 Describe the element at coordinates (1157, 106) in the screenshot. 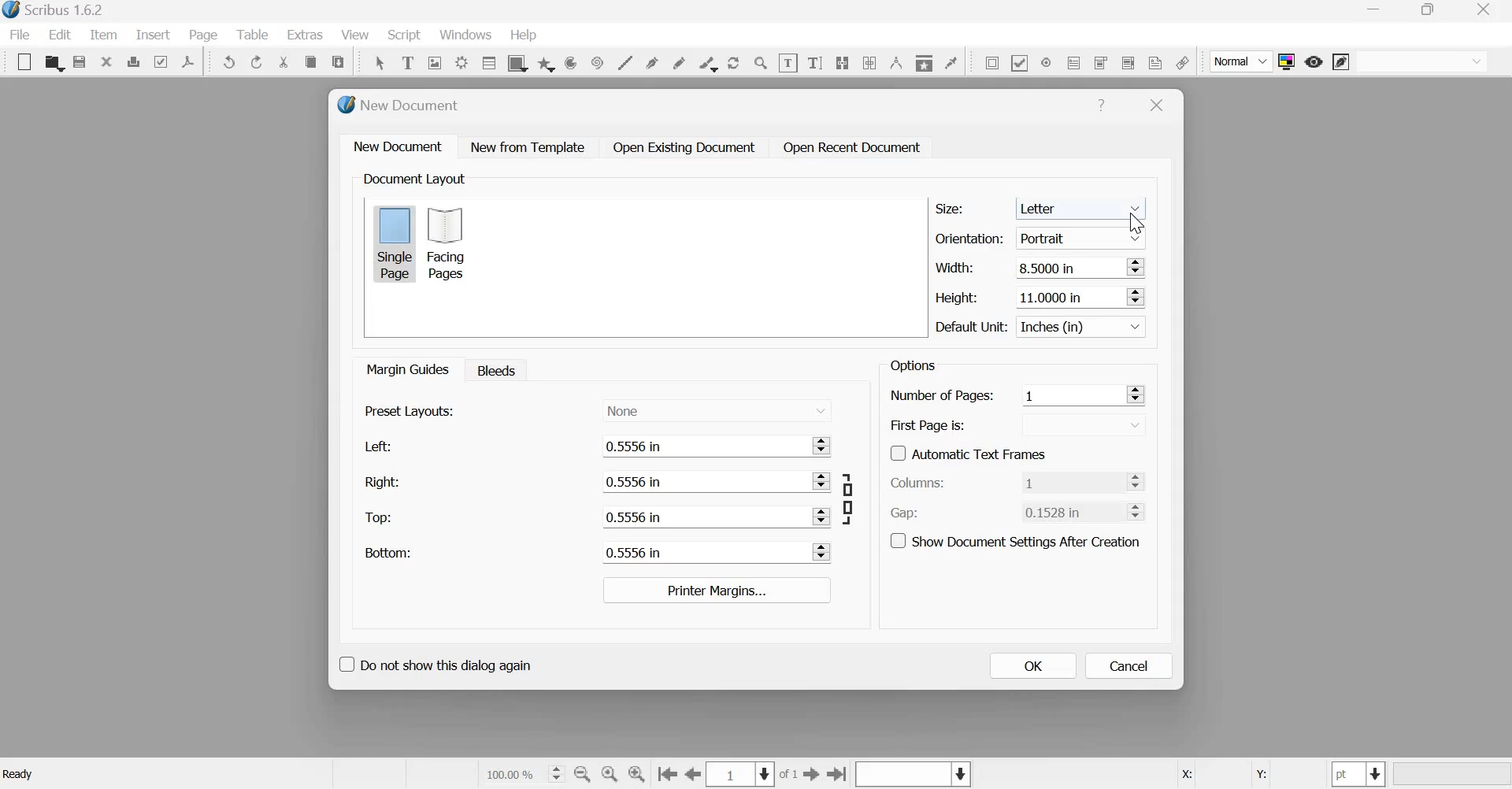

I see `Close` at that location.